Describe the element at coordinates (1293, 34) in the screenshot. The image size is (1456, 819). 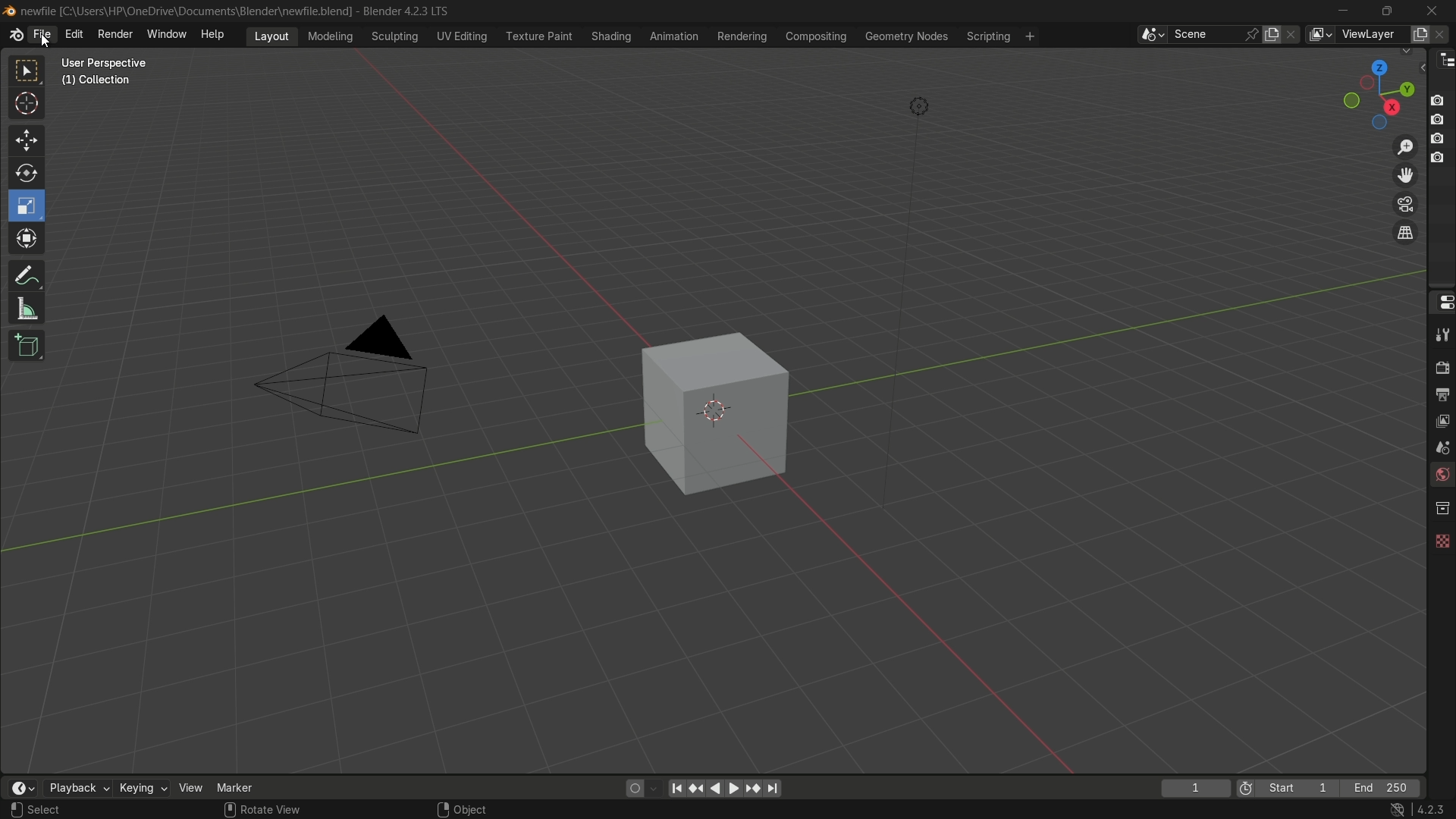
I see `delete scene` at that location.